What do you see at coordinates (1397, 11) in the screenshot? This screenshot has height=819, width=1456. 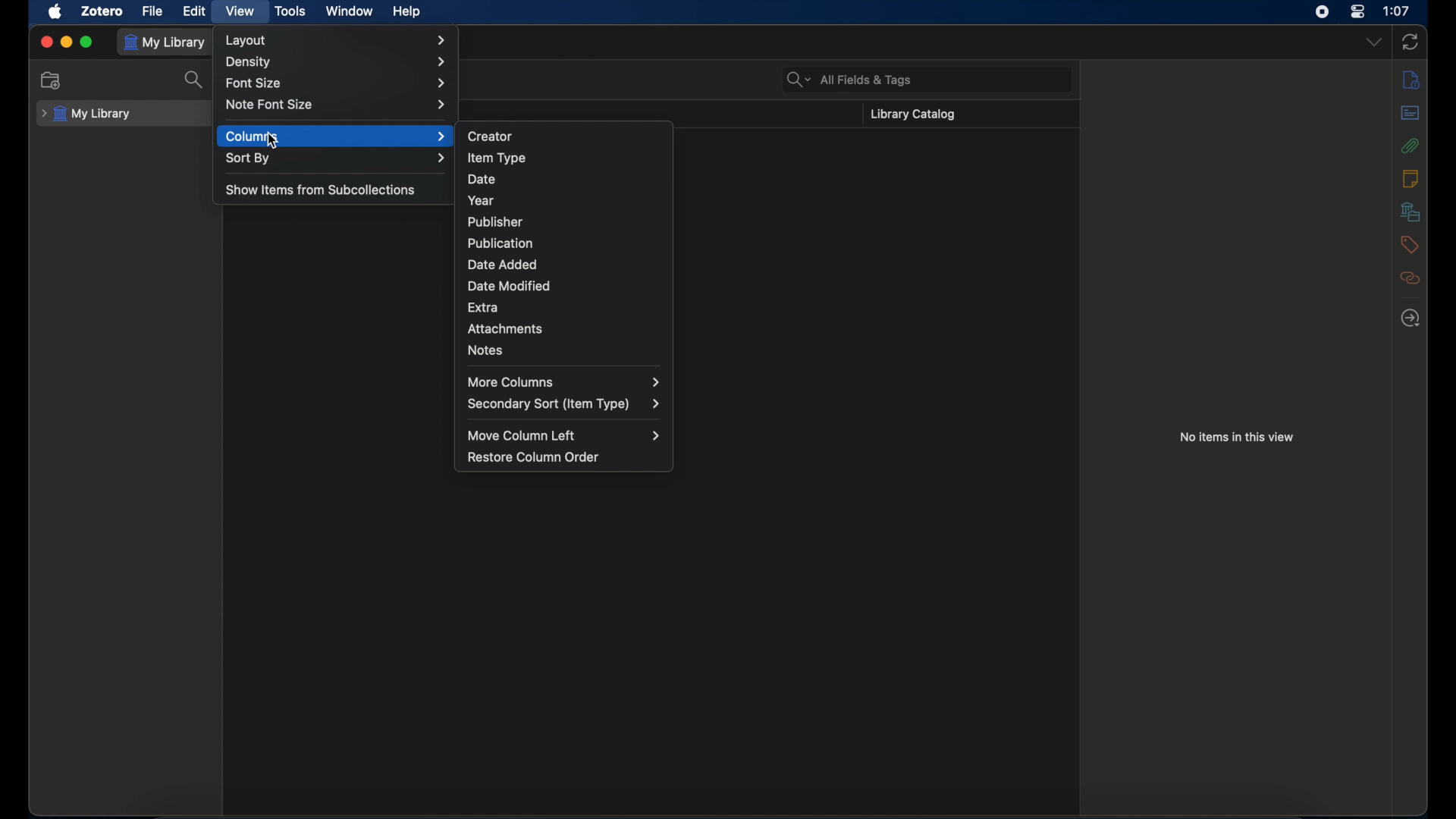 I see `time` at bounding box center [1397, 11].